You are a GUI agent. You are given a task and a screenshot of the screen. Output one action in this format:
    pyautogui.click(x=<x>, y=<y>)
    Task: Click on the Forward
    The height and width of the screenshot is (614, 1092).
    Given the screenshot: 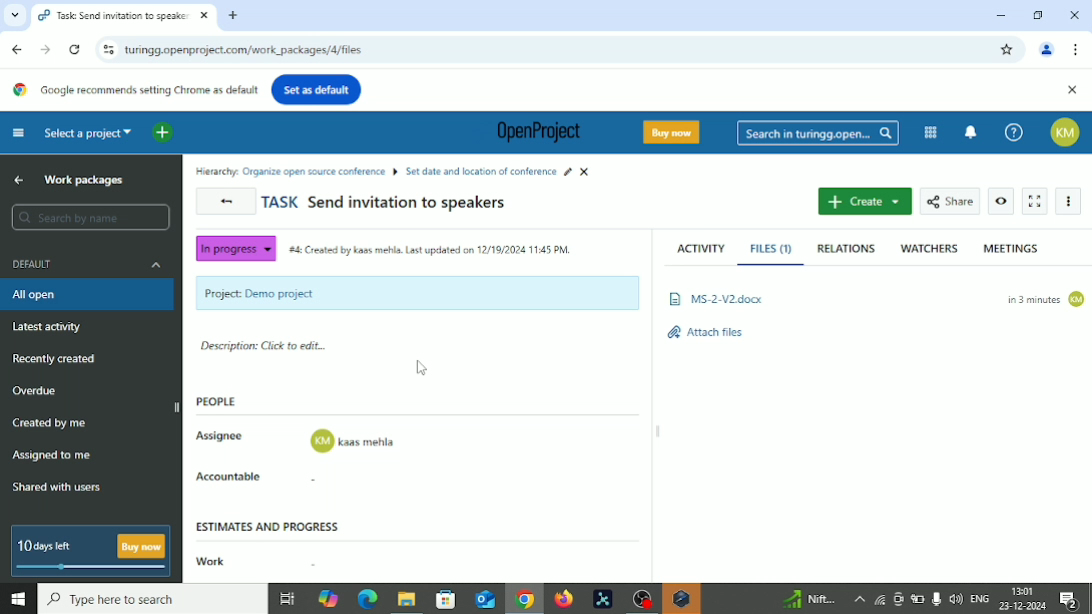 What is the action you would take?
    pyautogui.click(x=45, y=49)
    